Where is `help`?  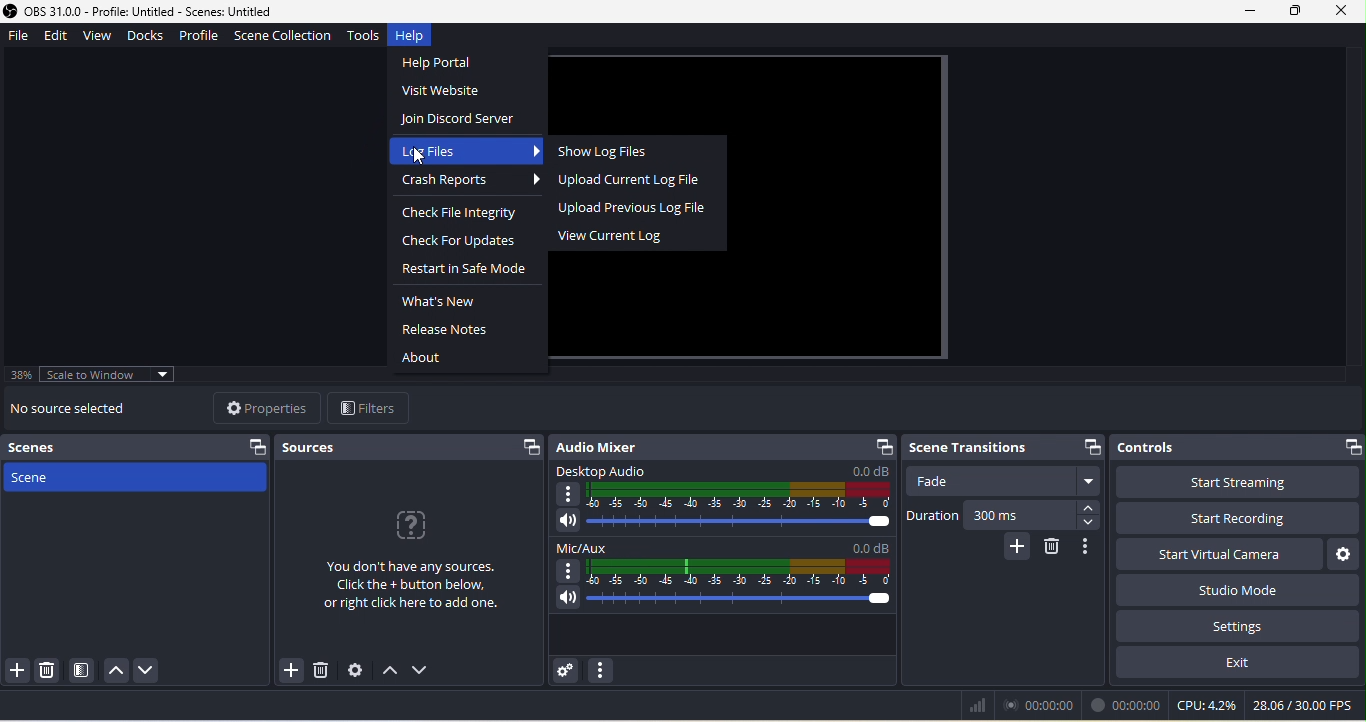 help is located at coordinates (416, 36).